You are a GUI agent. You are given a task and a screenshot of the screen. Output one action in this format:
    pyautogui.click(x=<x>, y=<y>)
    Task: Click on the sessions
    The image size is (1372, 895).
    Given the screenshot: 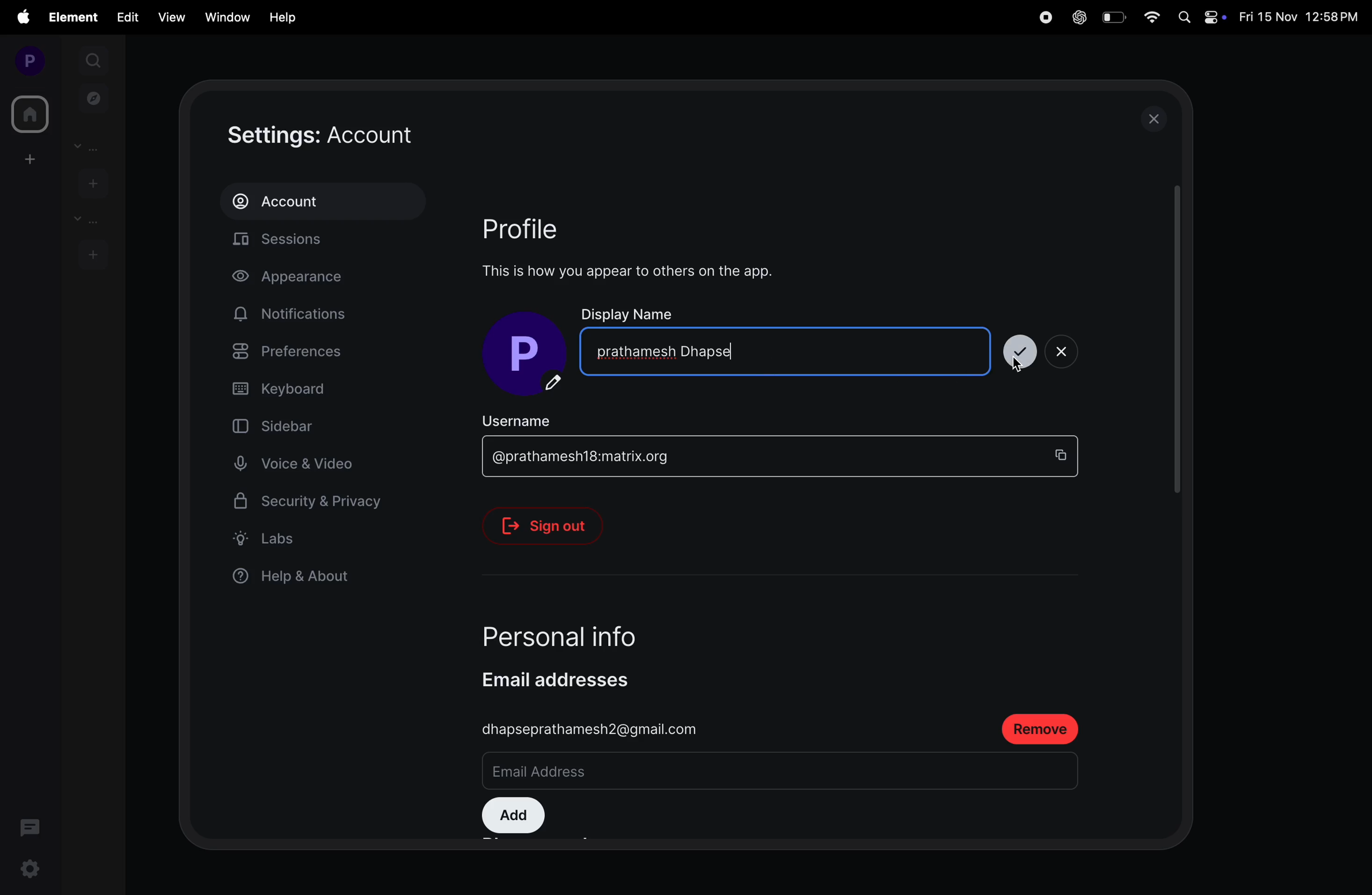 What is the action you would take?
    pyautogui.click(x=329, y=242)
    